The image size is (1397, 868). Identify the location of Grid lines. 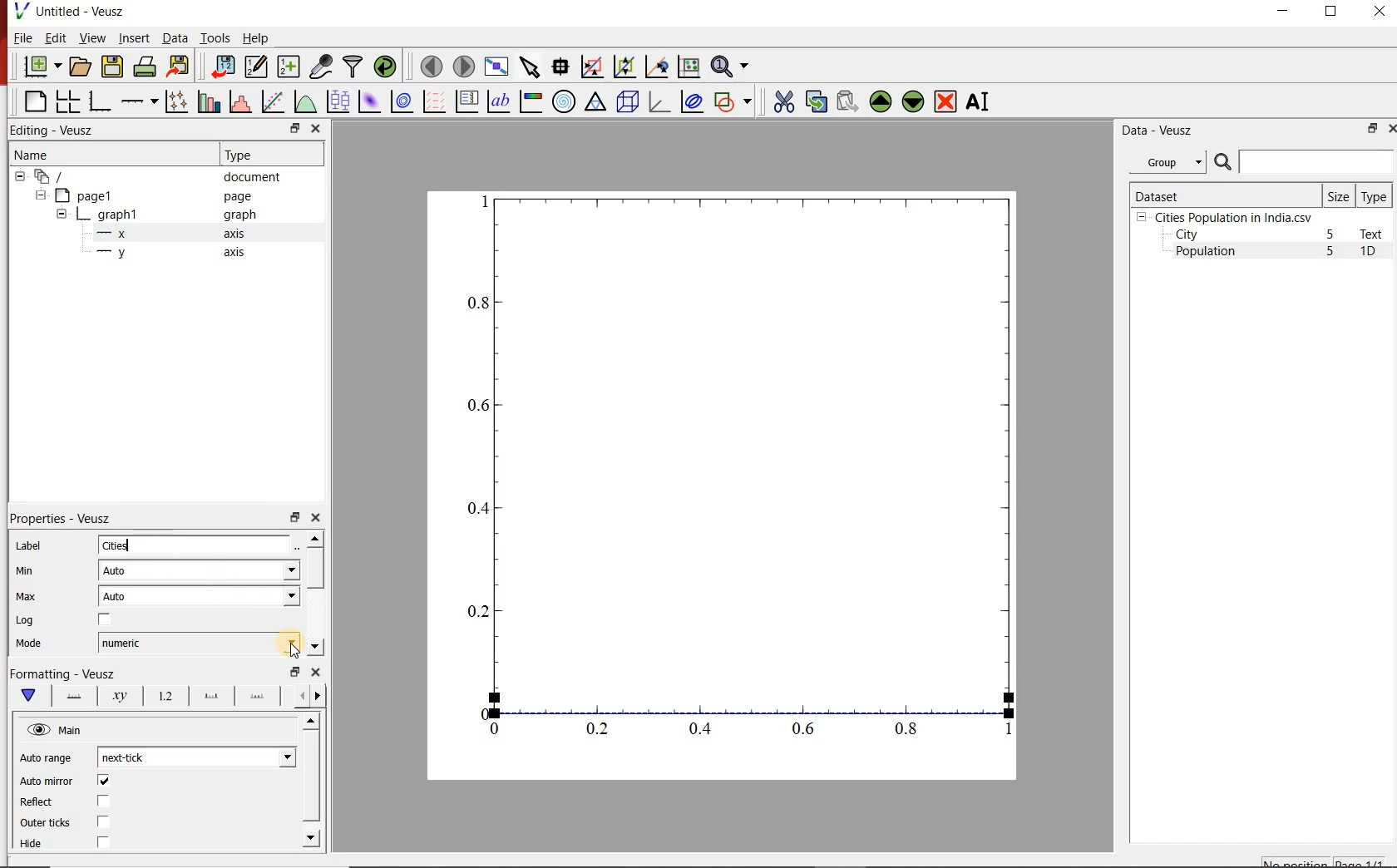
(312, 695).